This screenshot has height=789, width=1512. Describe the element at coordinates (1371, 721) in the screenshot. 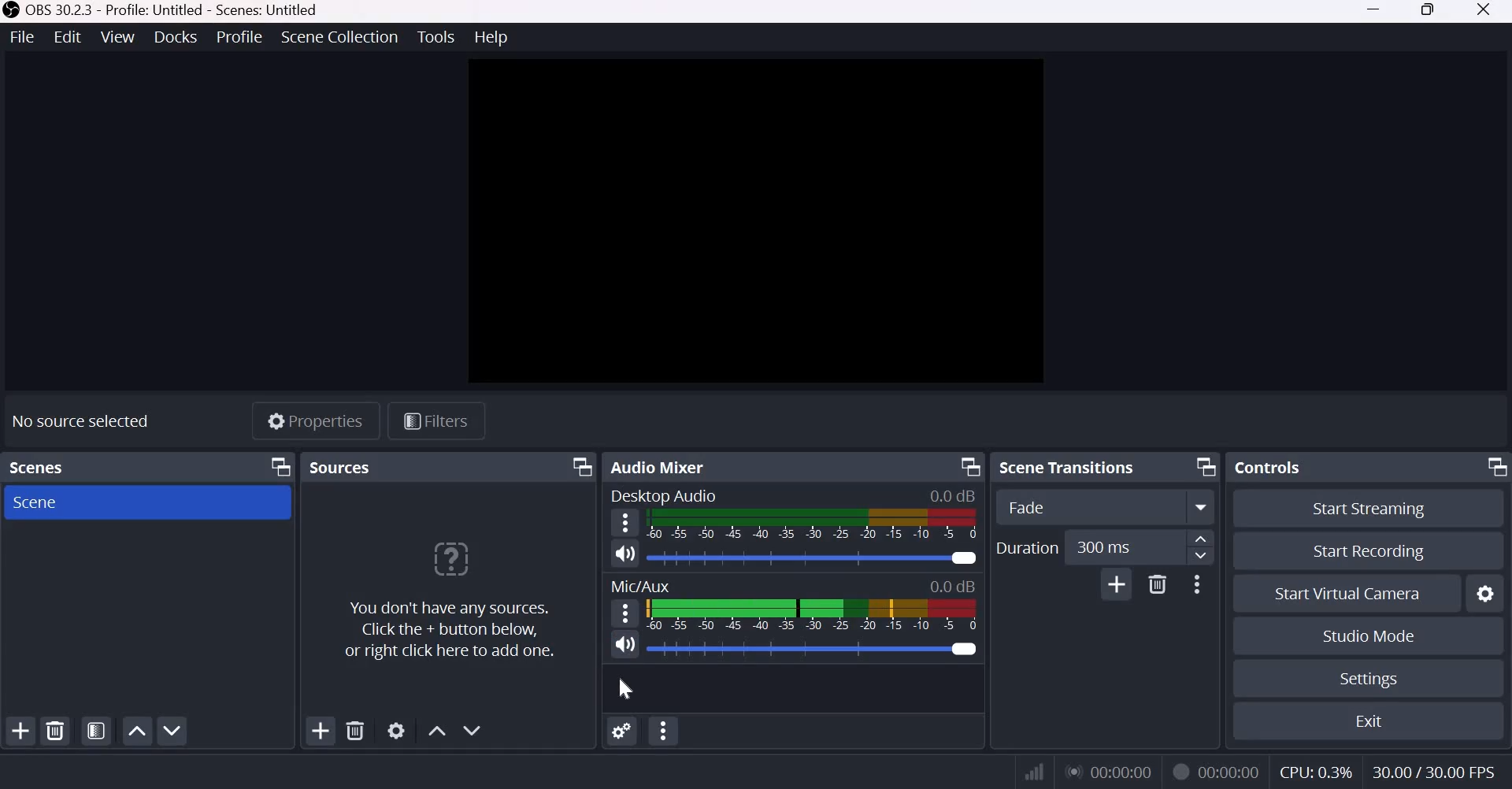

I see `Exit` at that location.